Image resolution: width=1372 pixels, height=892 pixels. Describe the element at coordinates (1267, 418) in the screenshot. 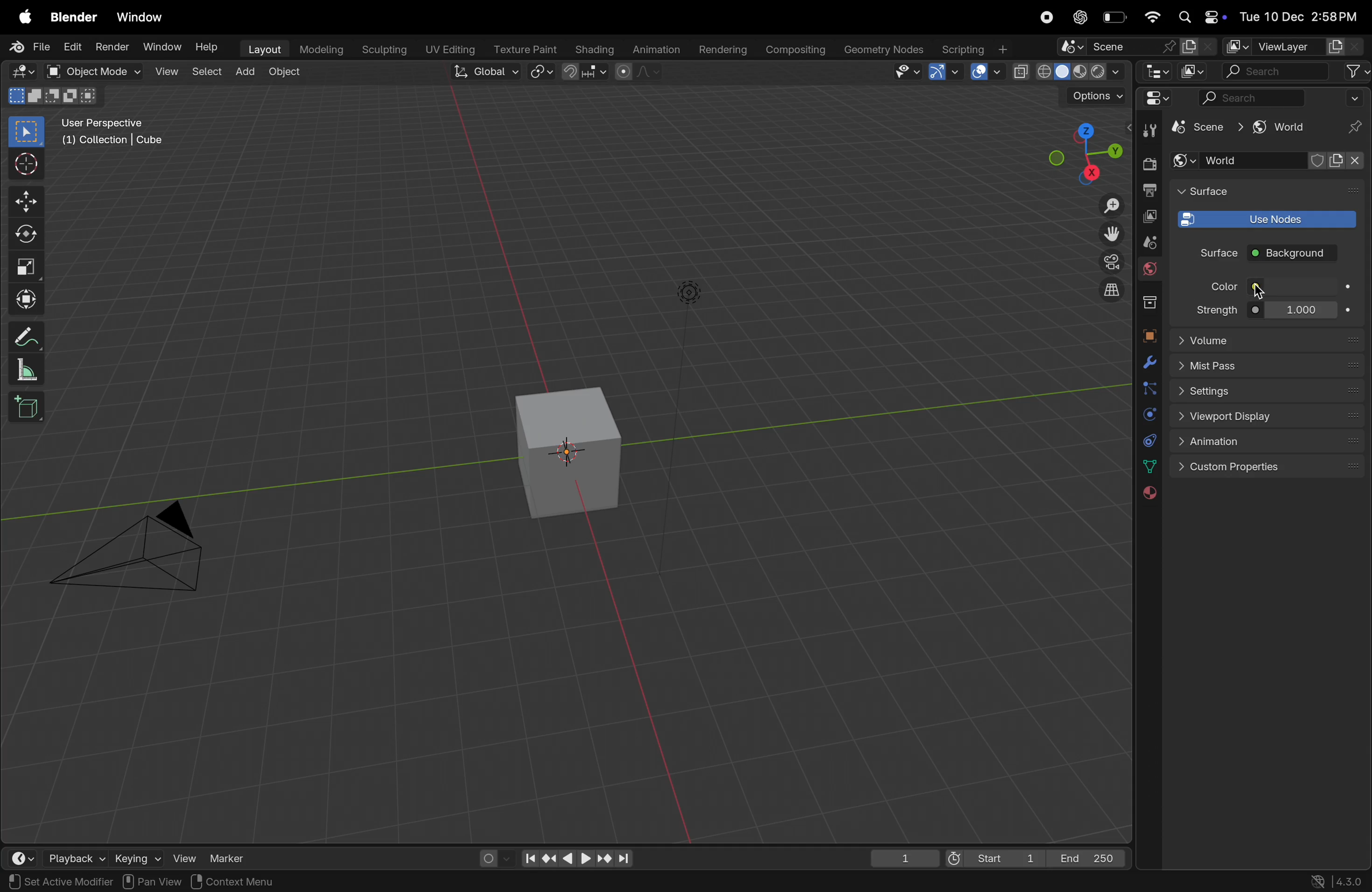

I see `View port display` at that location.